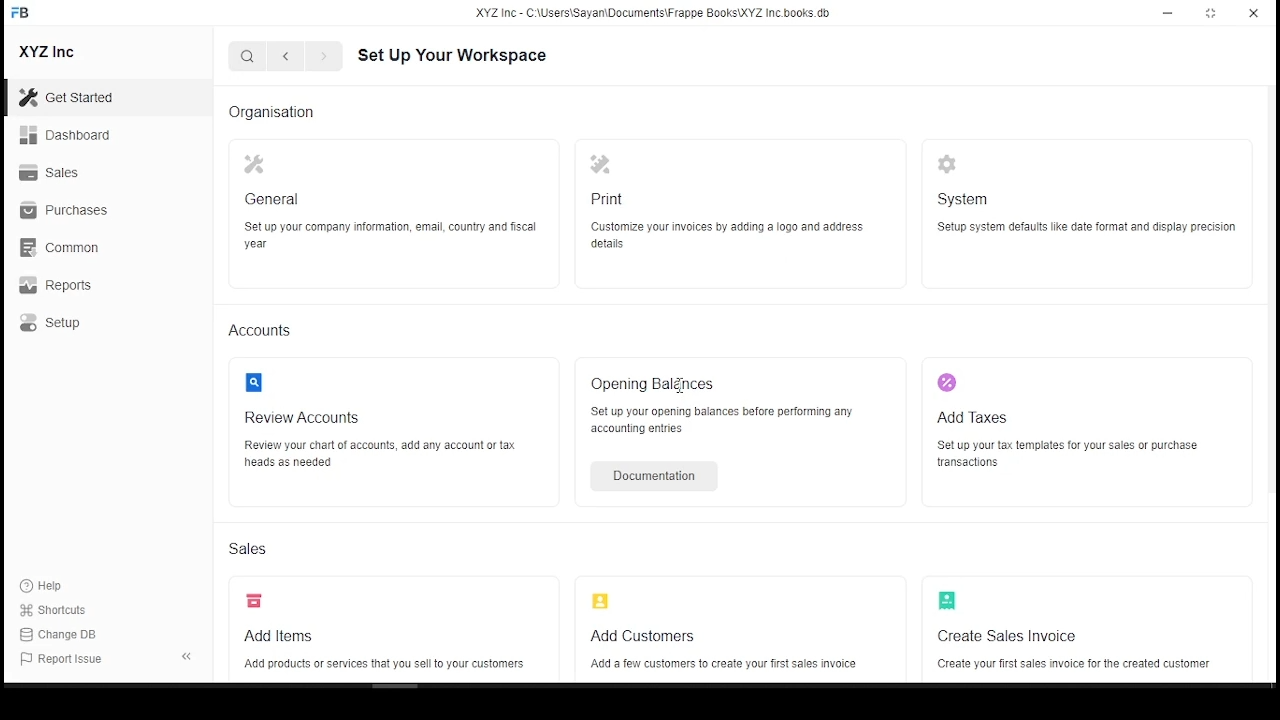 This screenshot has height=720, width=1280. Describe the element at coordinates (1253, 14) in the screenshot. I see `close window` at that location.